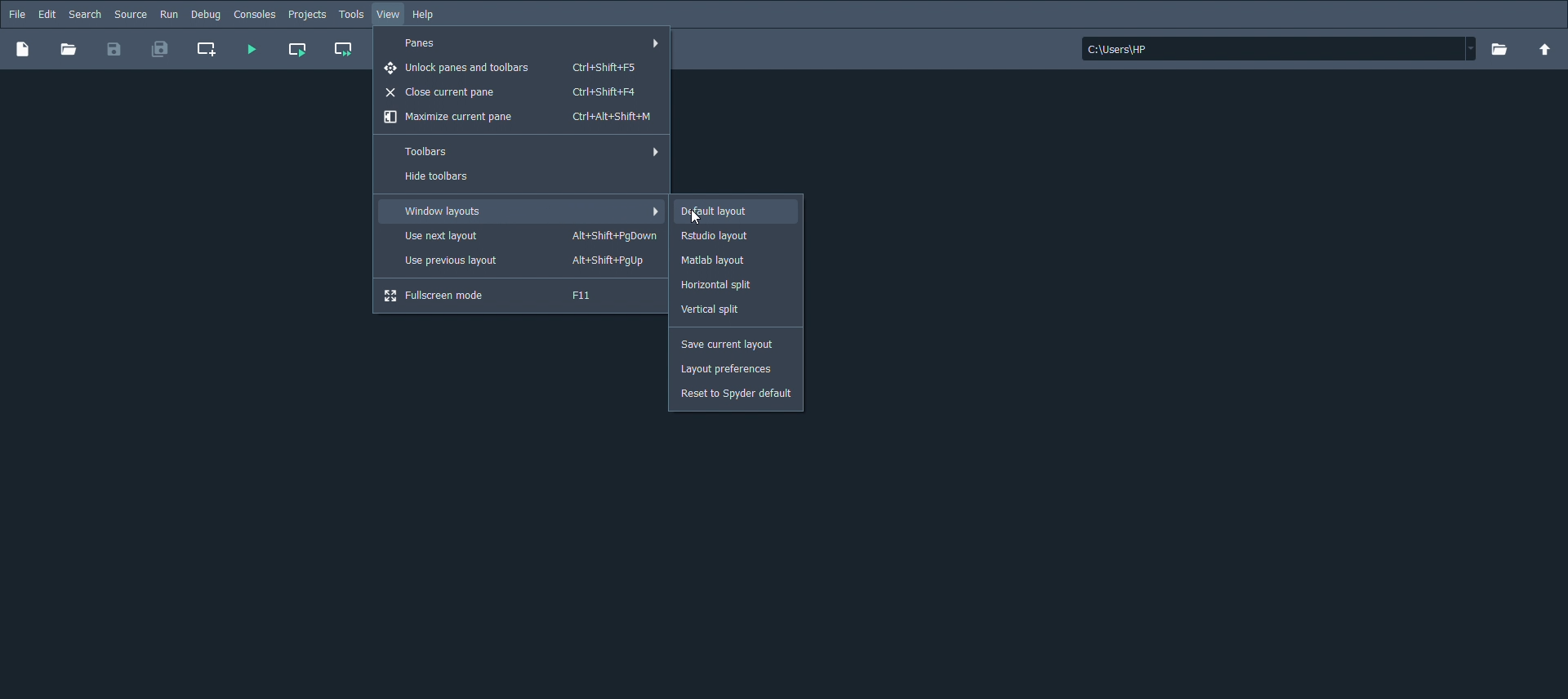  What do you see at coordinates (514, 68) in the screenshot?
I see `Unlock panes and toolbars` at bounding box center [514, 68].